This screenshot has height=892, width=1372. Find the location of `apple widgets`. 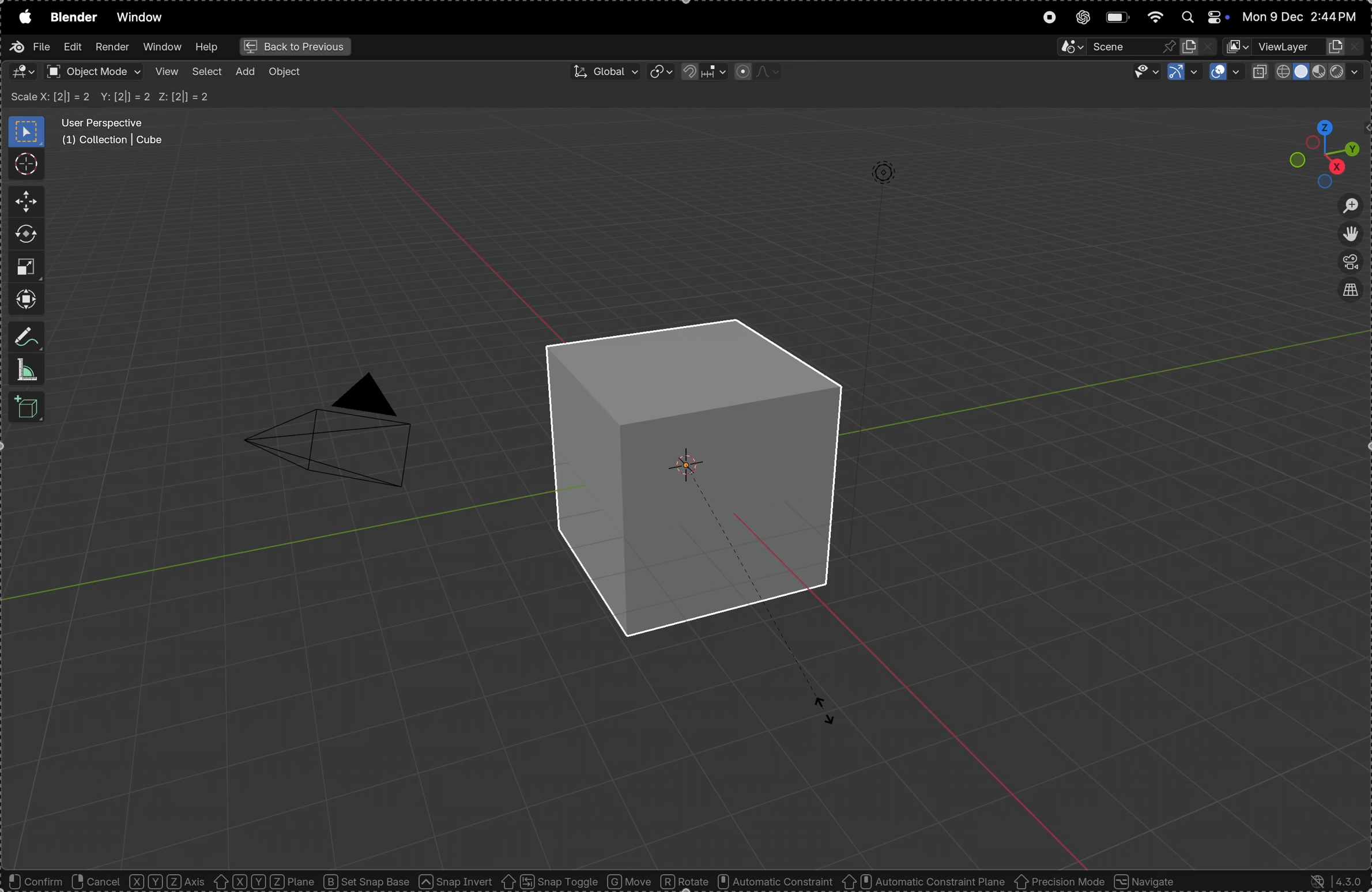

apple widgets is located at coordinates (1201, 18).